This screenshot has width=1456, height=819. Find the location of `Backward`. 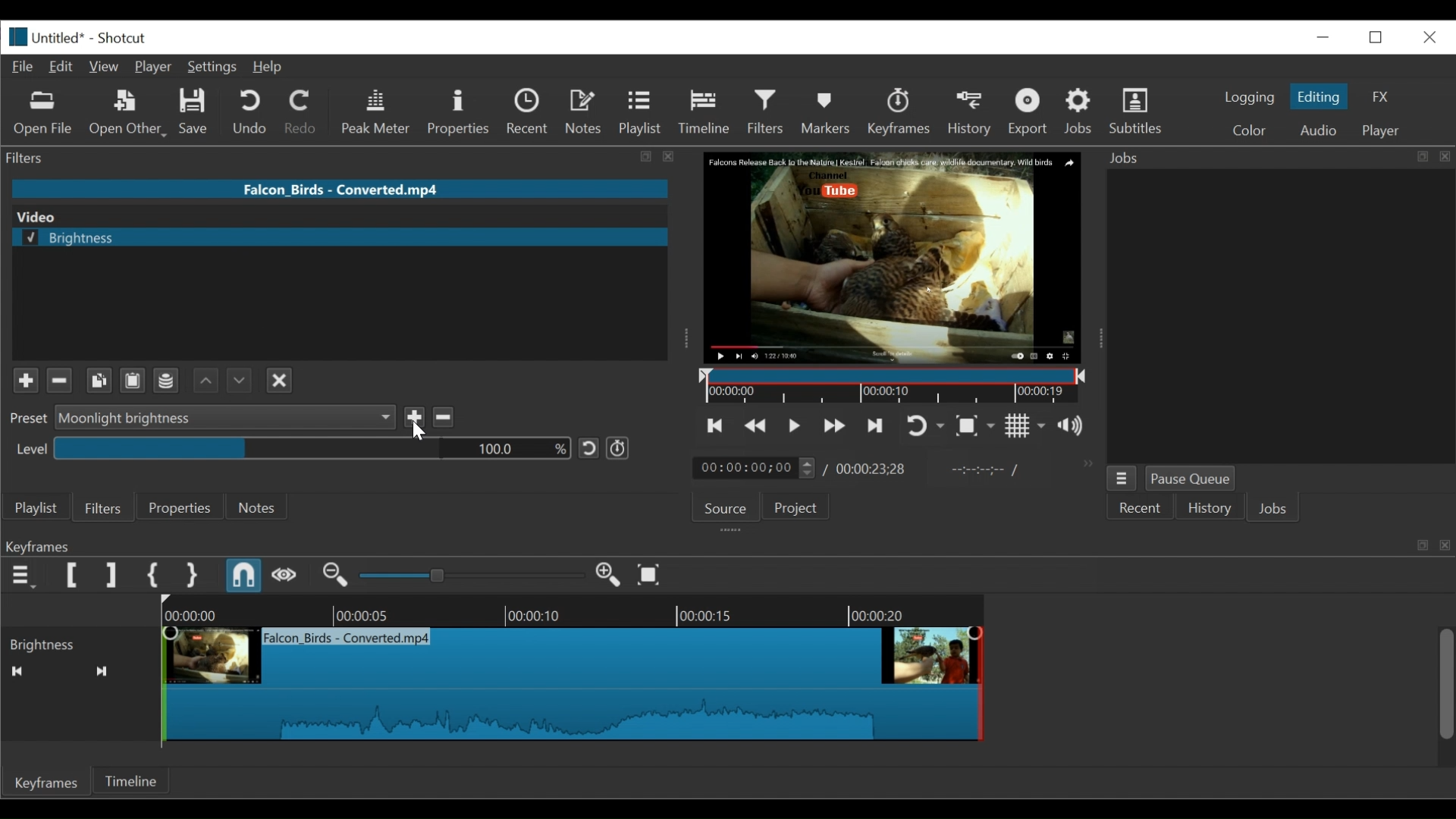

Backward is located at coordinates (201, 381).